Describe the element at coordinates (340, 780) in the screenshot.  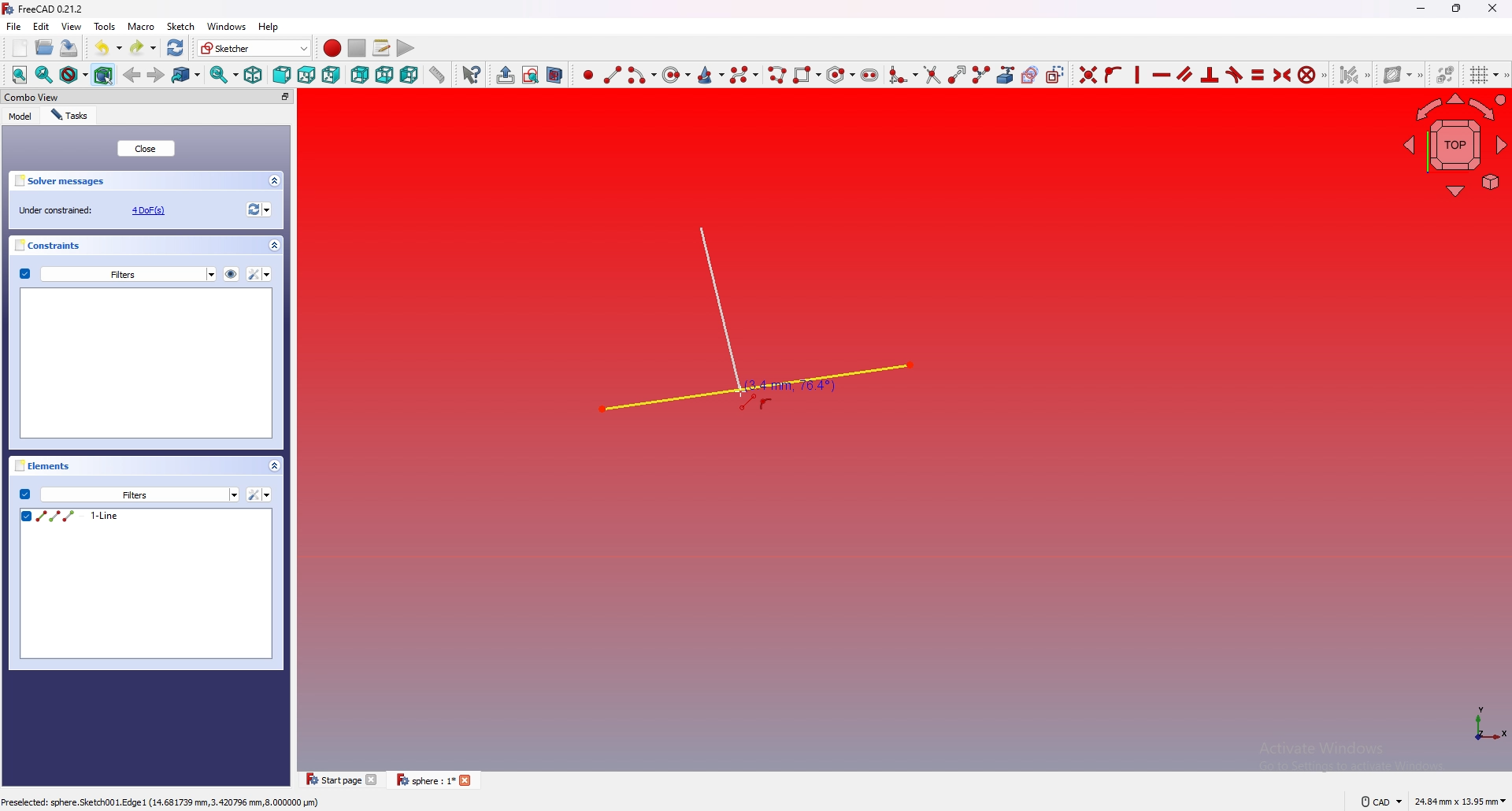
I see `Start page` at that location.